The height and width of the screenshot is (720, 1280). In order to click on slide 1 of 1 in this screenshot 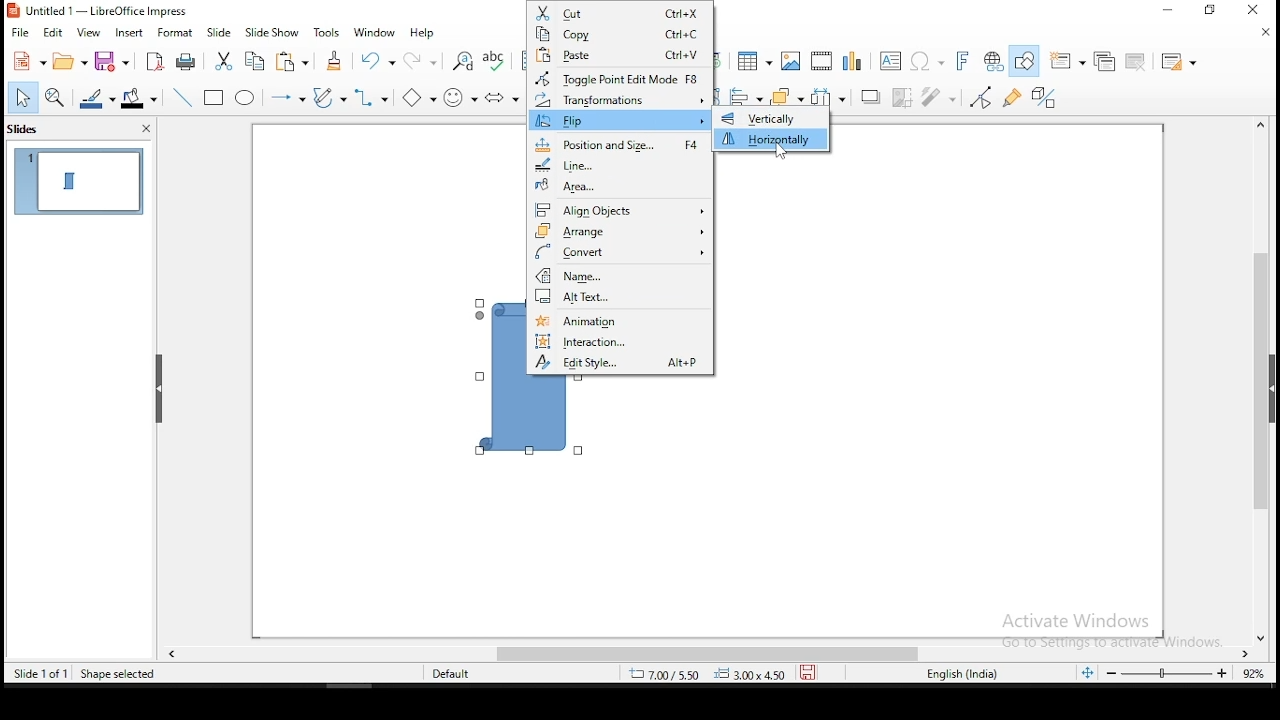, I will do `click(40, 672)`.